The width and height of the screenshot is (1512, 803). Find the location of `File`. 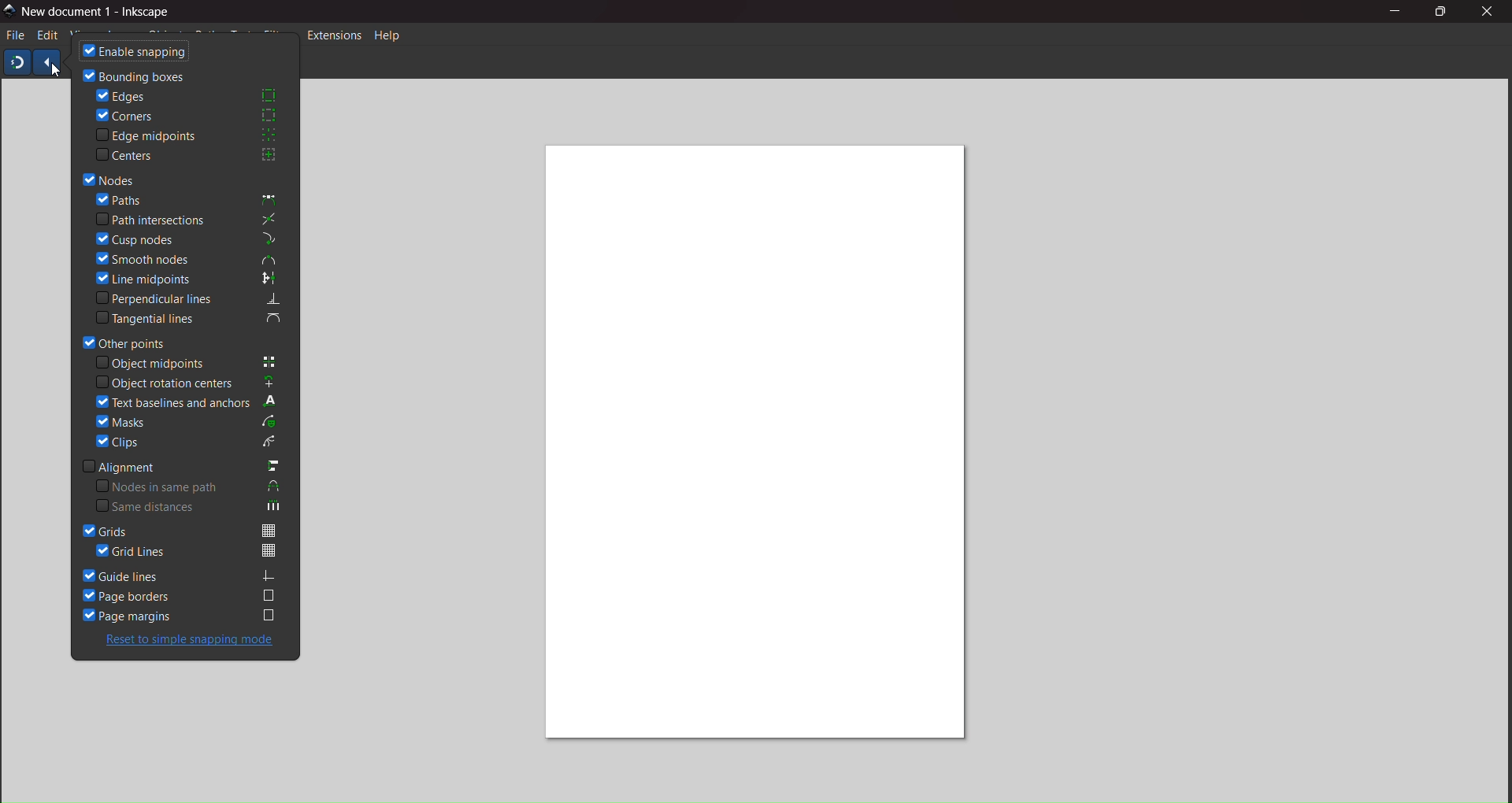

File is located at coordinates (16, 35).